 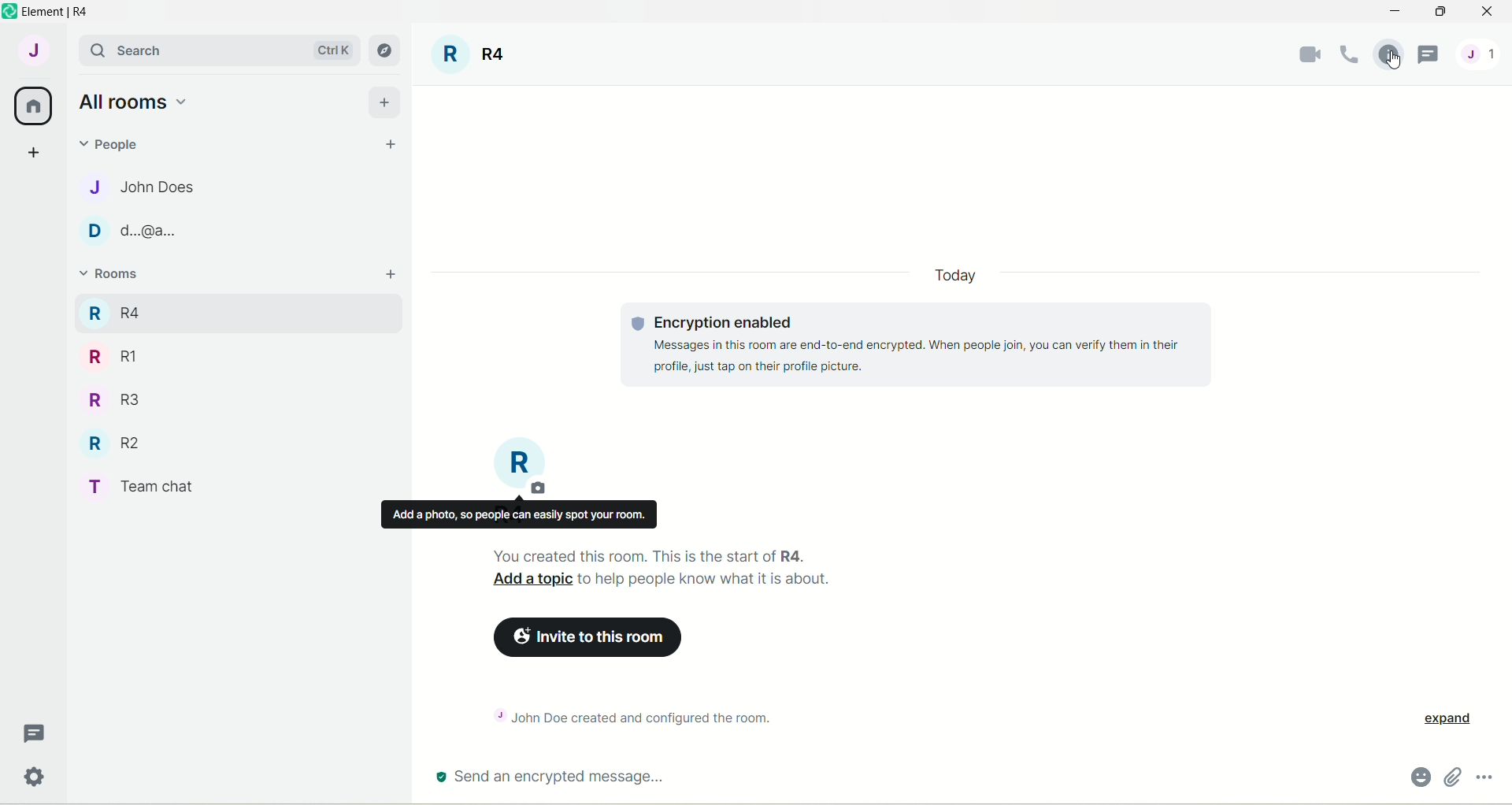 What do you see at coordinates (109, 440) in the screenshot?
I see `R R2` at bounding box center [109, 440].